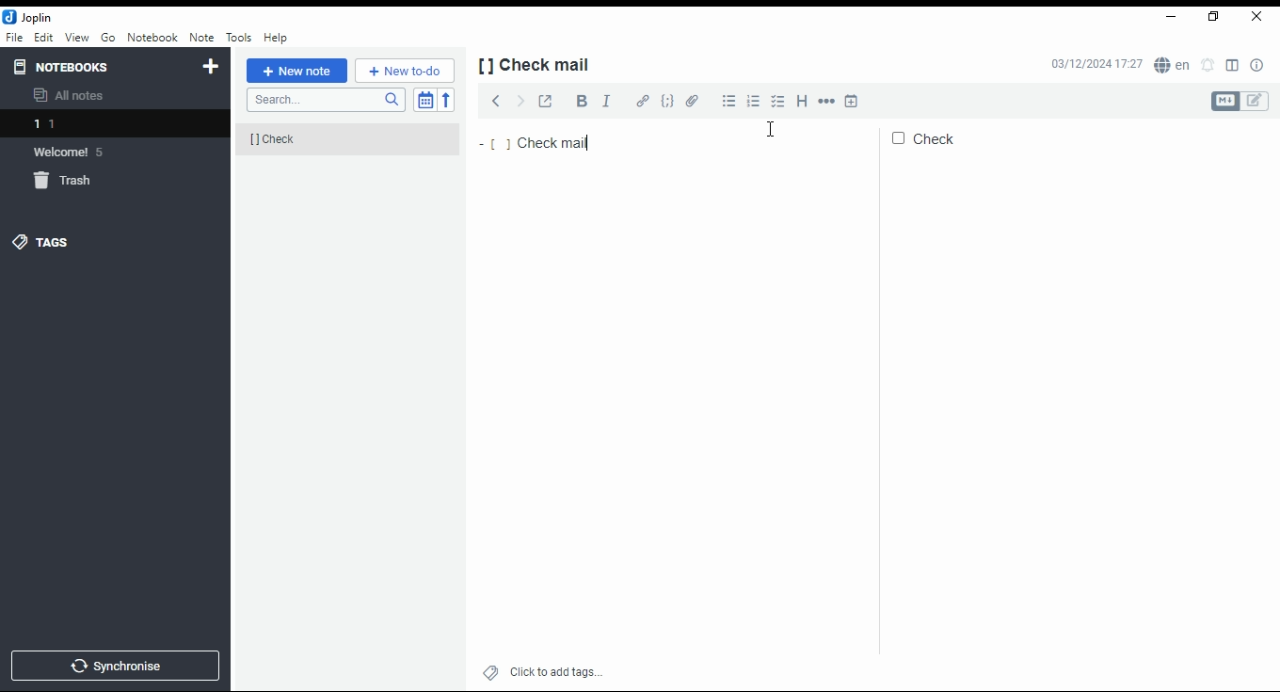  I want to click on spell checker, so click(1175, 67).